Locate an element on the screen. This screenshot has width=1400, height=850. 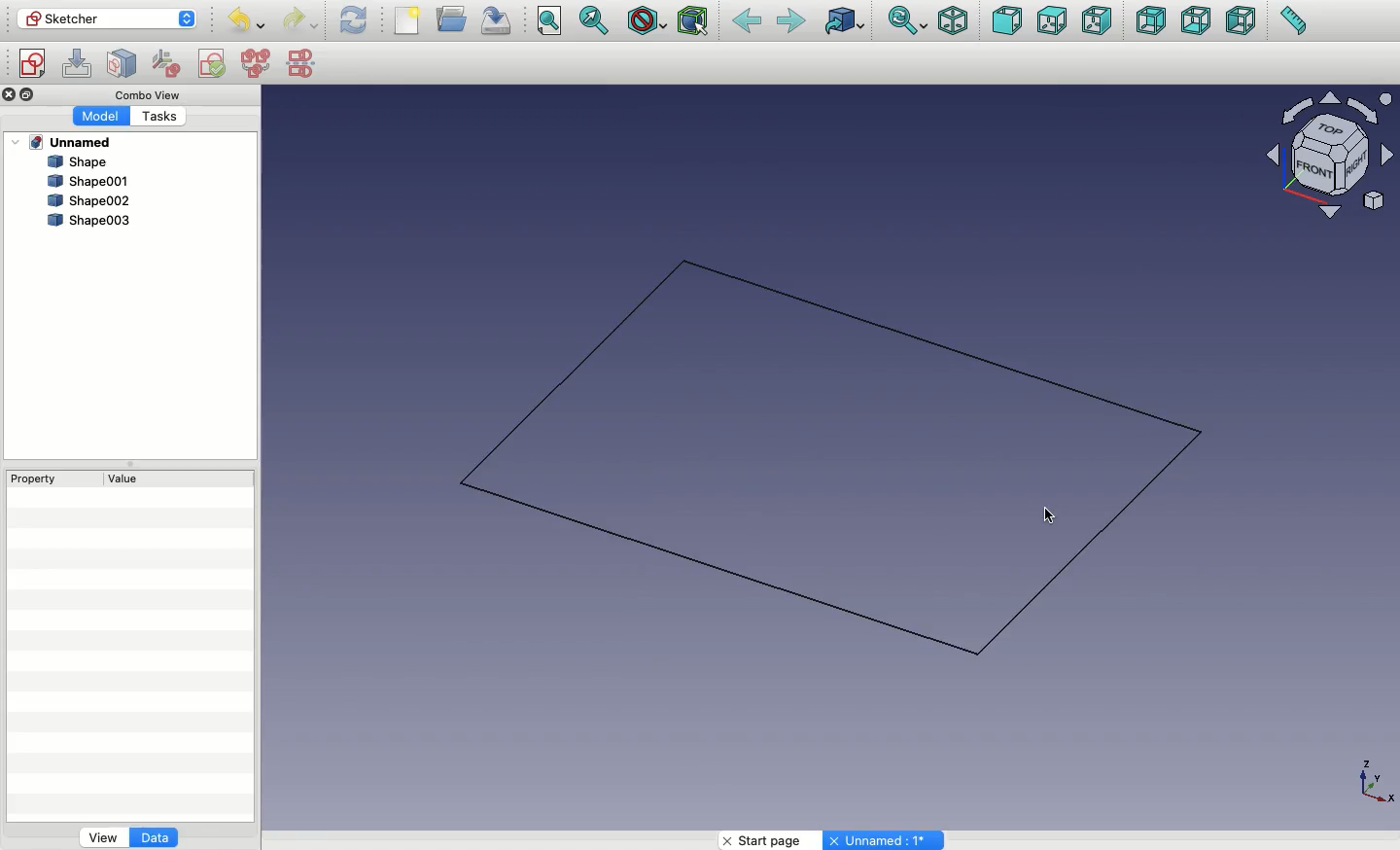
Unnamed is located at coordinates (72, 143).